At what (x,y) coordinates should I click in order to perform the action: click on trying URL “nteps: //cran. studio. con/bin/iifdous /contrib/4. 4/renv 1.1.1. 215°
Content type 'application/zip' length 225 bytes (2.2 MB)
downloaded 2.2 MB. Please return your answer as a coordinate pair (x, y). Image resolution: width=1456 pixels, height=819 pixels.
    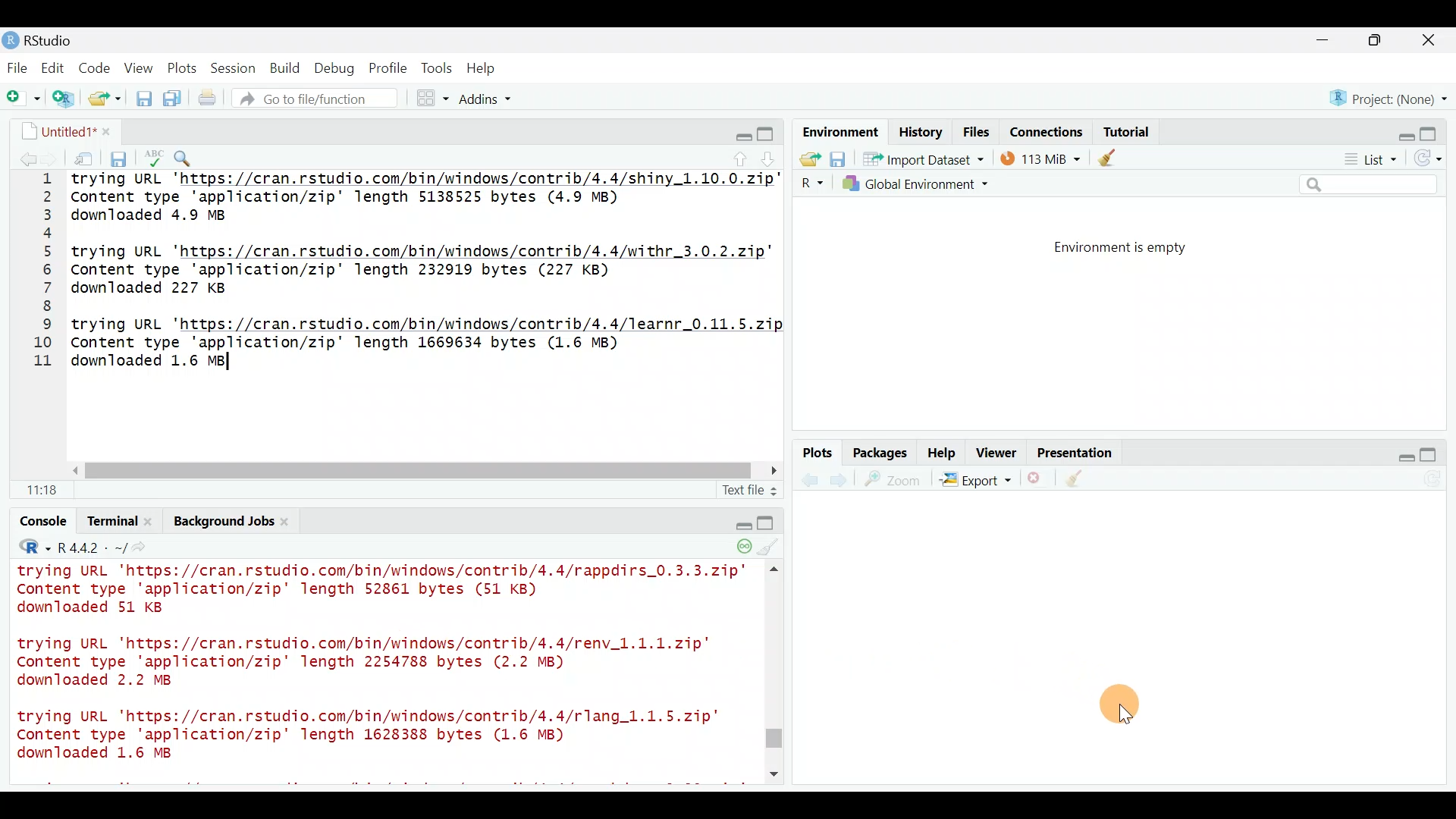
    Looking at the image, I should click on (372, 659).